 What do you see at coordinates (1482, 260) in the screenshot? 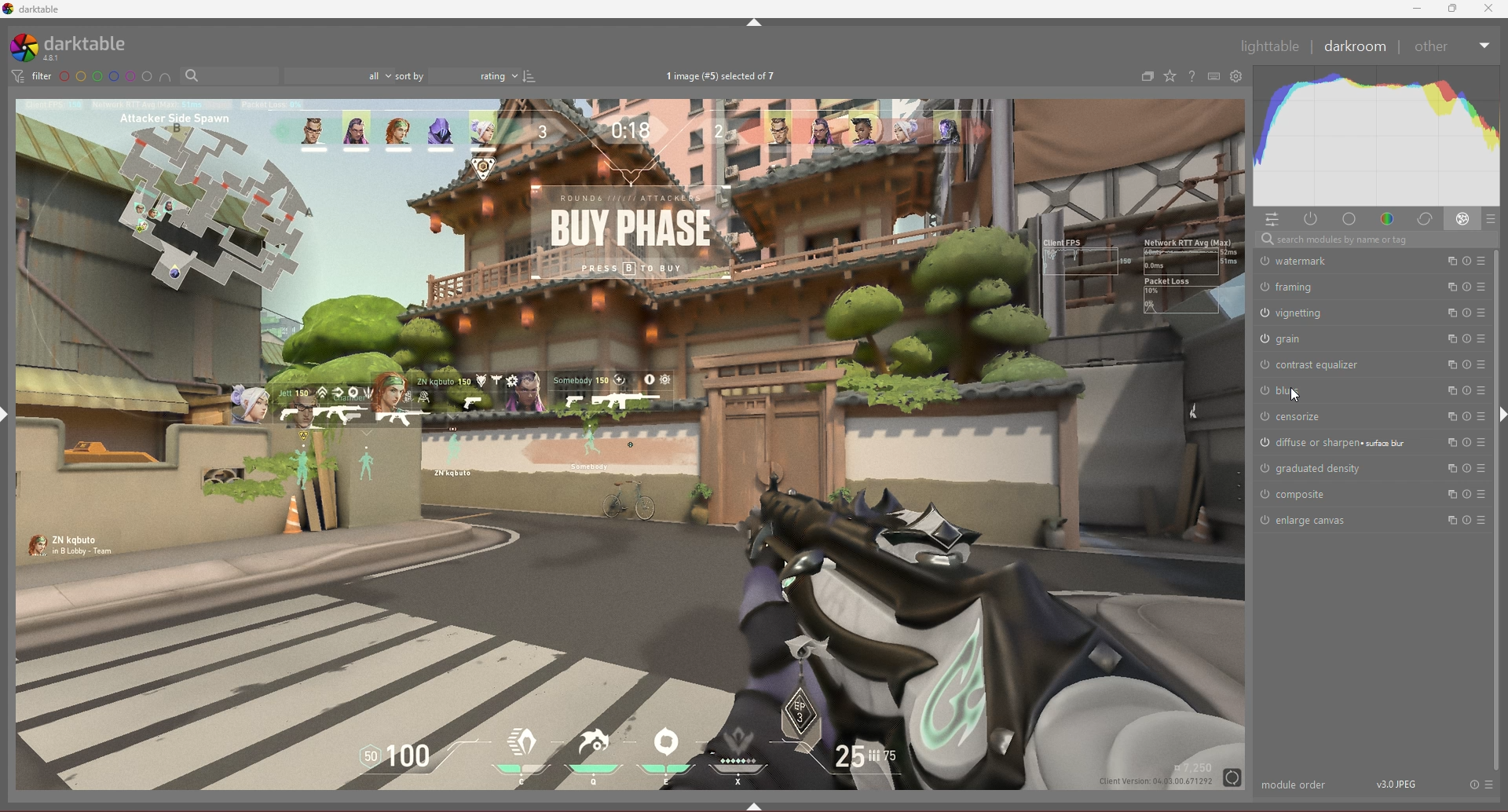
I see `presets` at bounding box center [1482, 260].